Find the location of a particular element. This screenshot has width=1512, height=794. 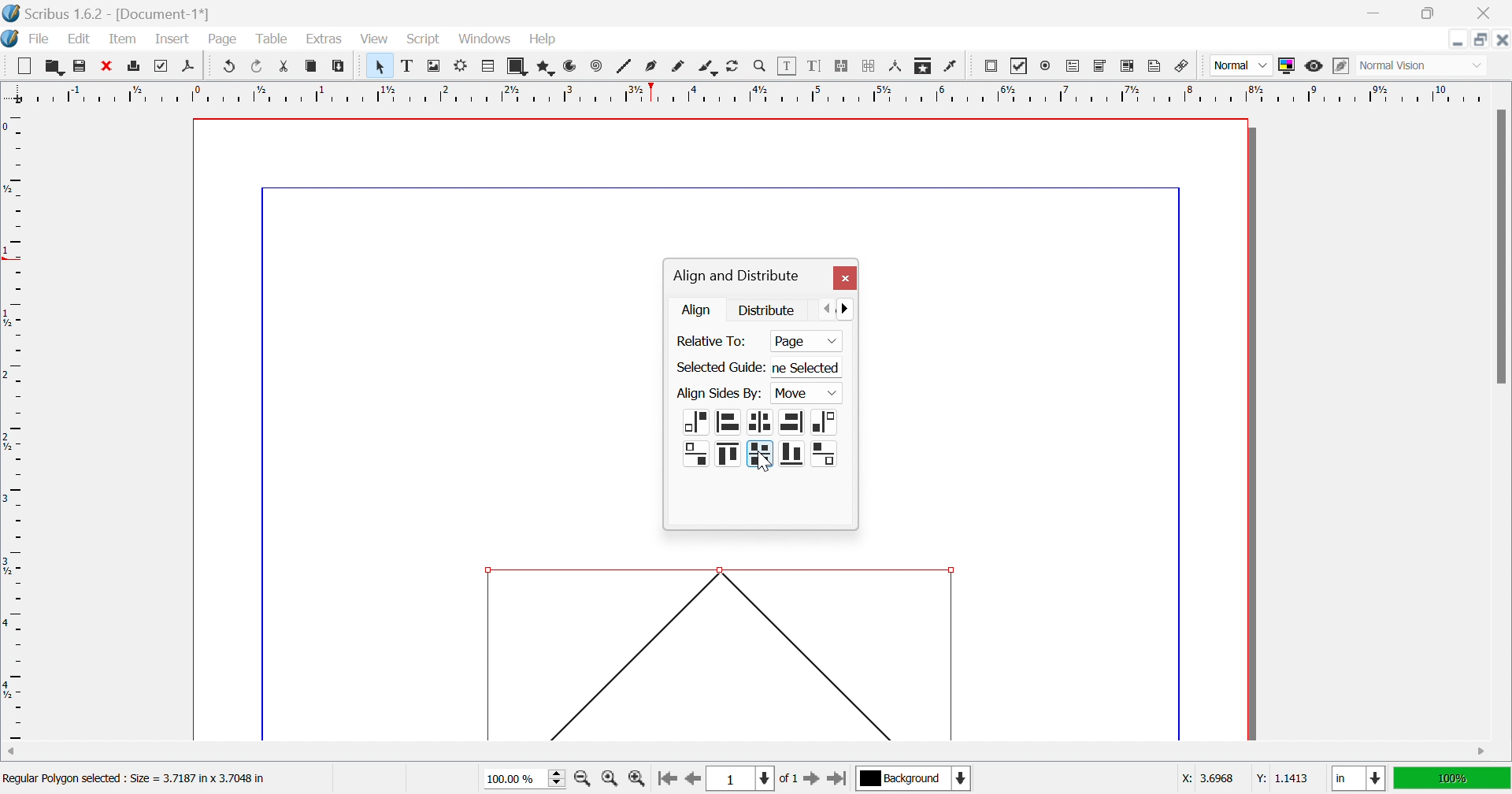

Arc is located at coordinates (570, 65).